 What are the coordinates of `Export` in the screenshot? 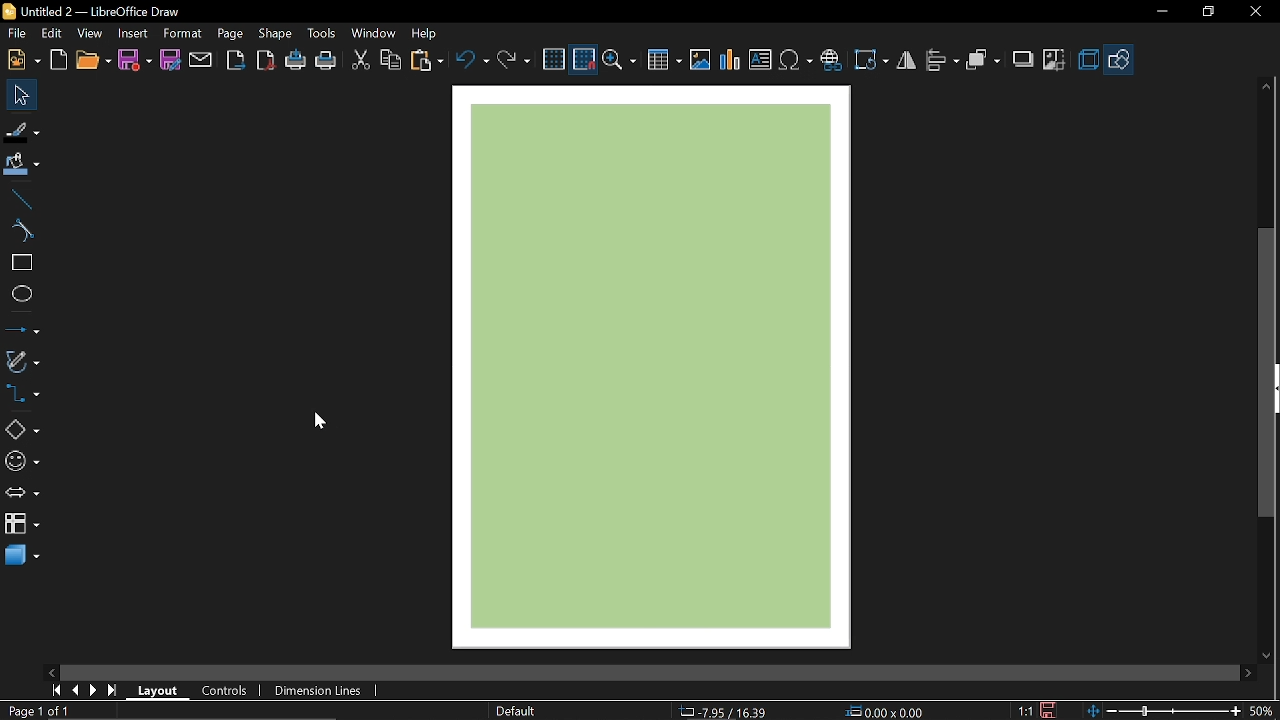 It's located at (238, 60).